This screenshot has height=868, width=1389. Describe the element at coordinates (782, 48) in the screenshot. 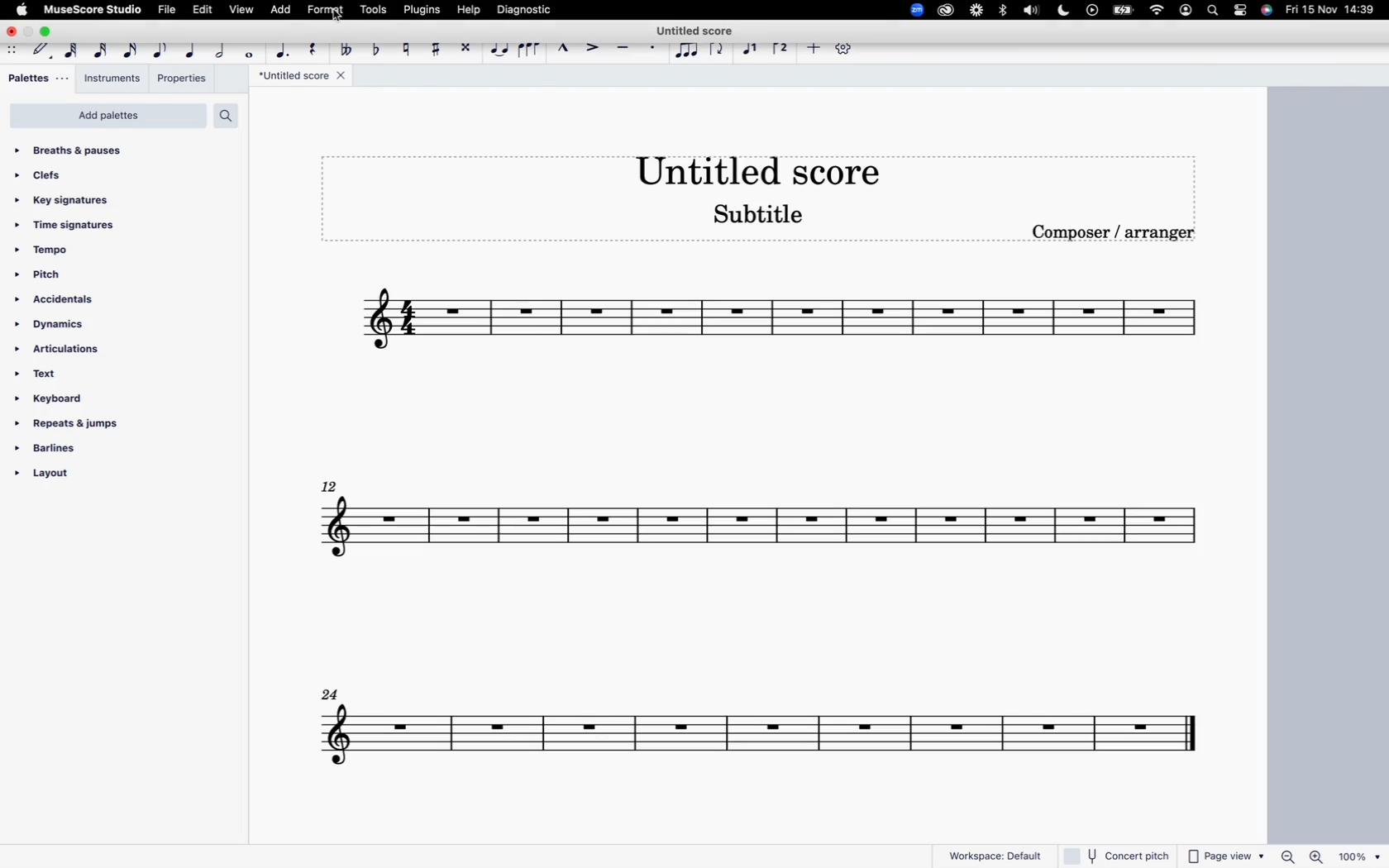

I see `voice 2` at that location.